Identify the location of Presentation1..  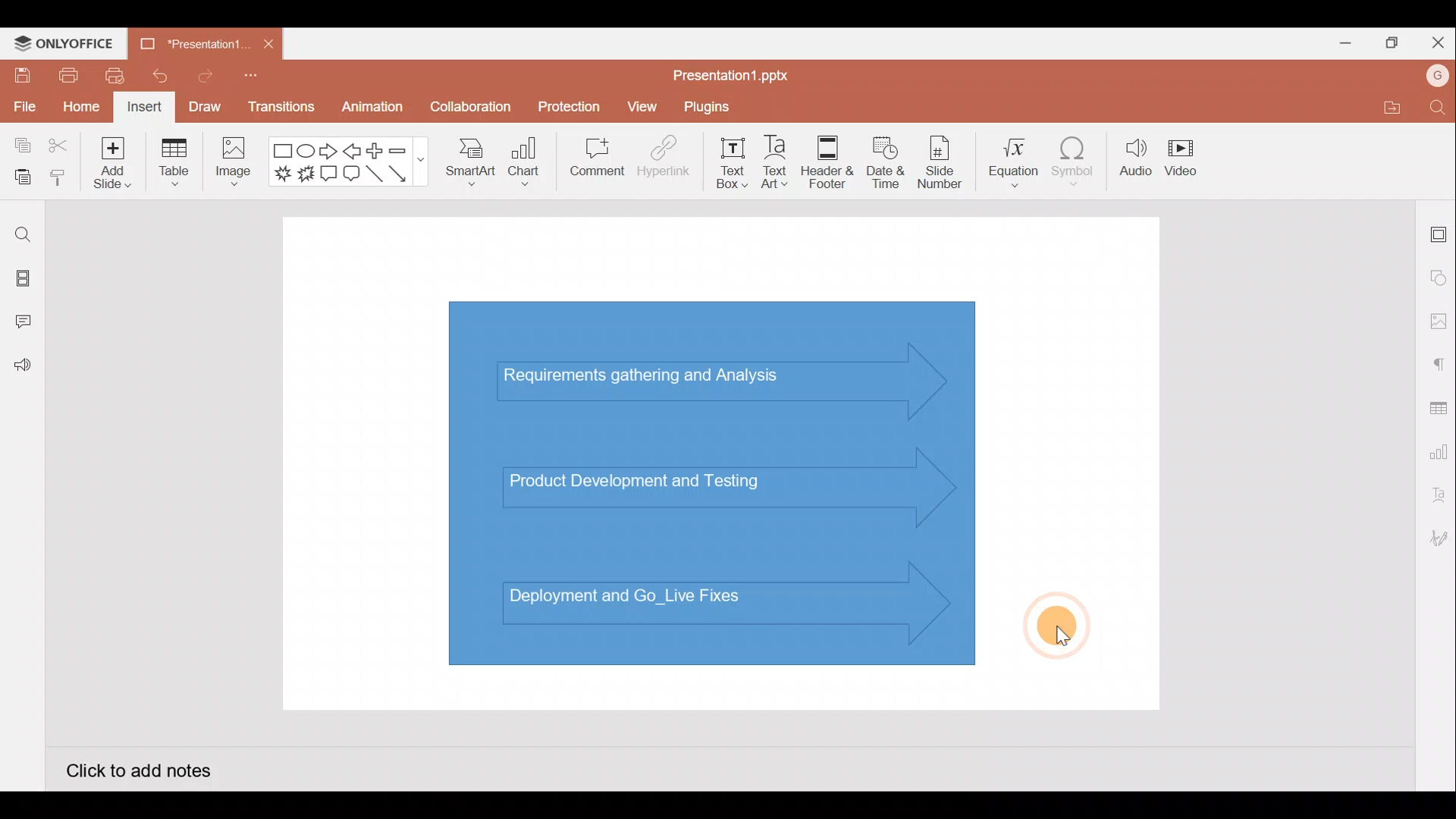
(193, 40).